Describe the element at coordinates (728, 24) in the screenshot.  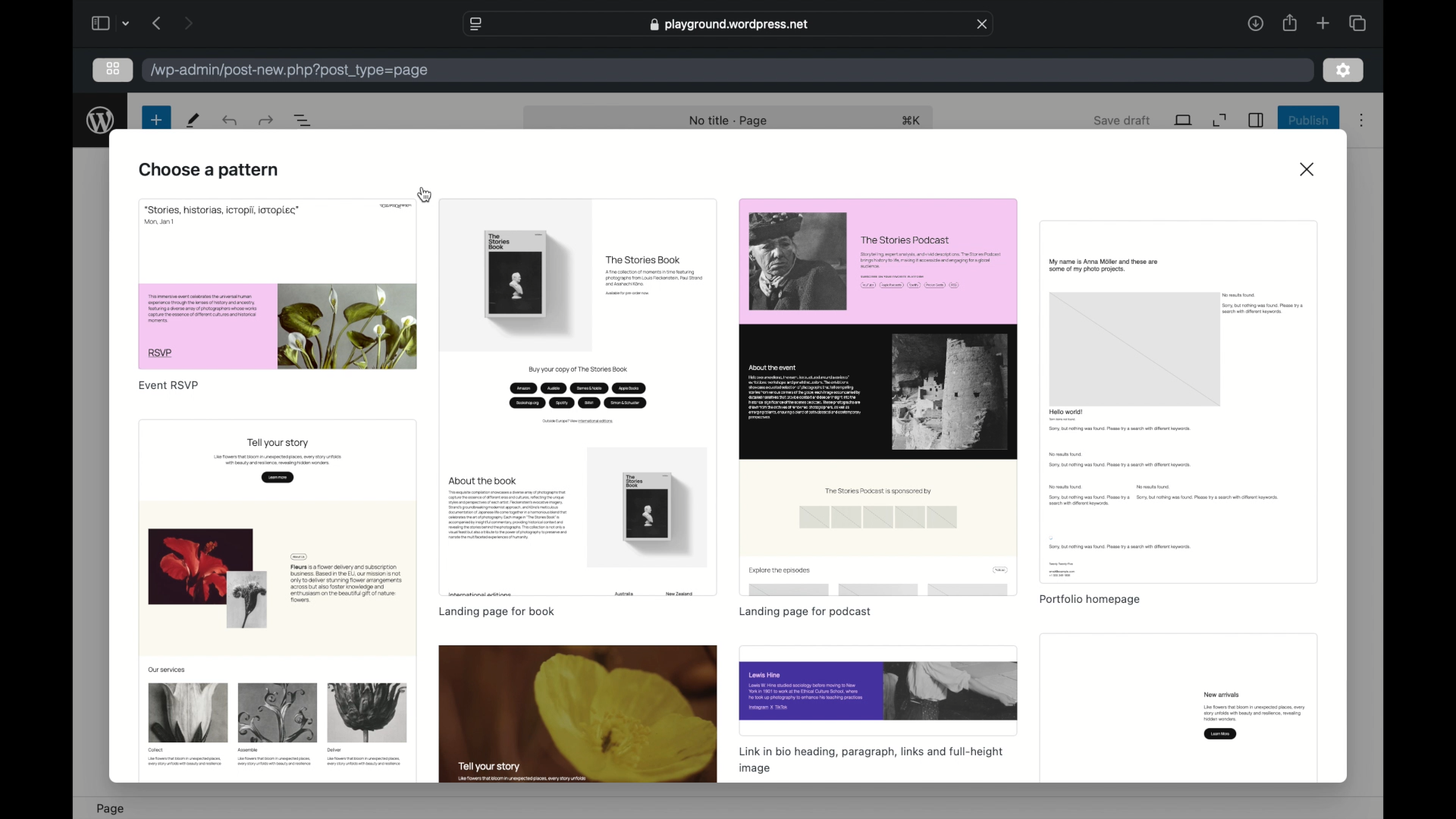
I see `web address` at that location.